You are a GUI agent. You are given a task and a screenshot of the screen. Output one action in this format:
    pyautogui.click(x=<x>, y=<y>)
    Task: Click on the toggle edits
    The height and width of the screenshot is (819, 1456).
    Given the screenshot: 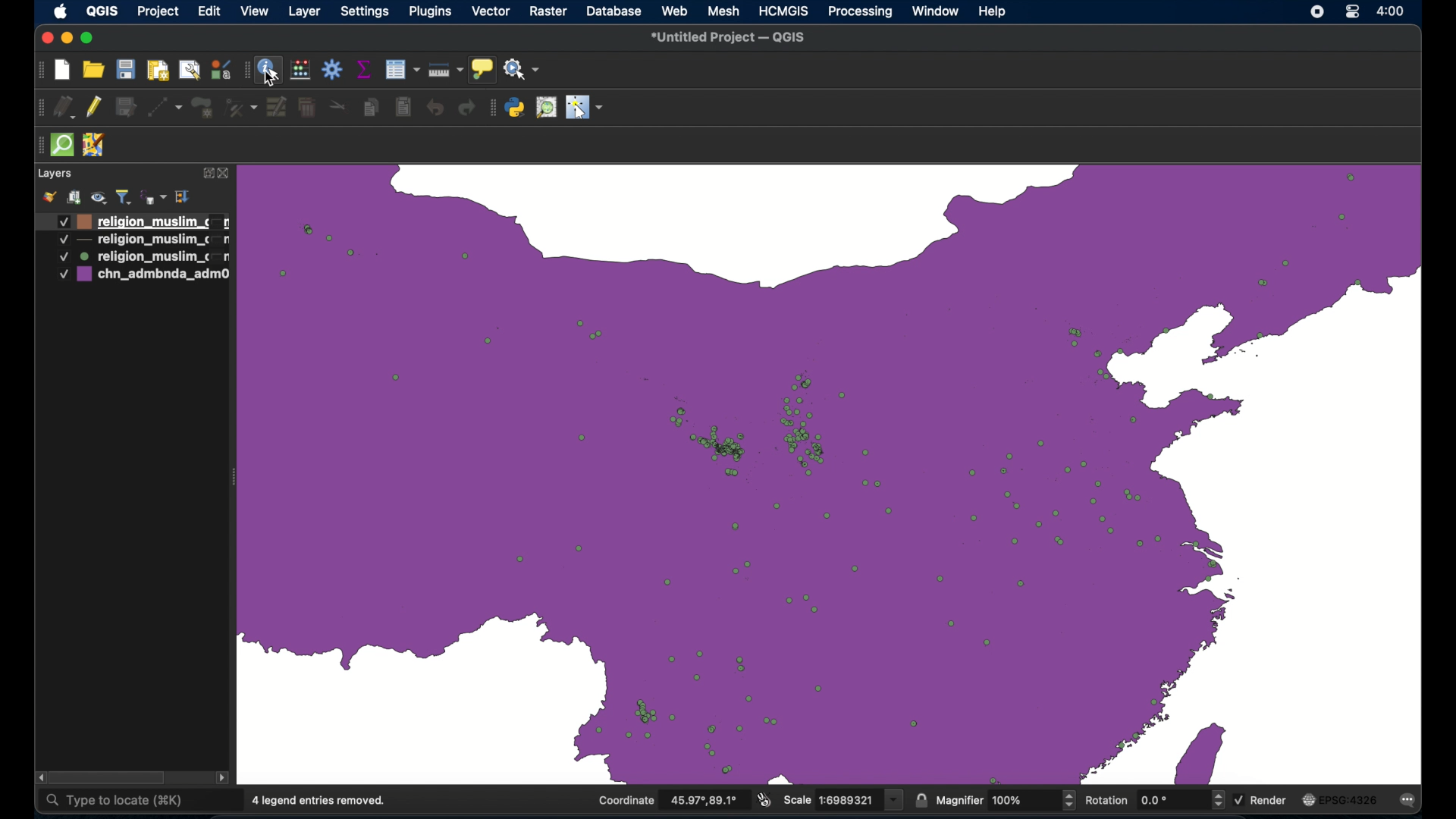 What is the action you would take?
    pyautogui.click(x=93, y=106)
    